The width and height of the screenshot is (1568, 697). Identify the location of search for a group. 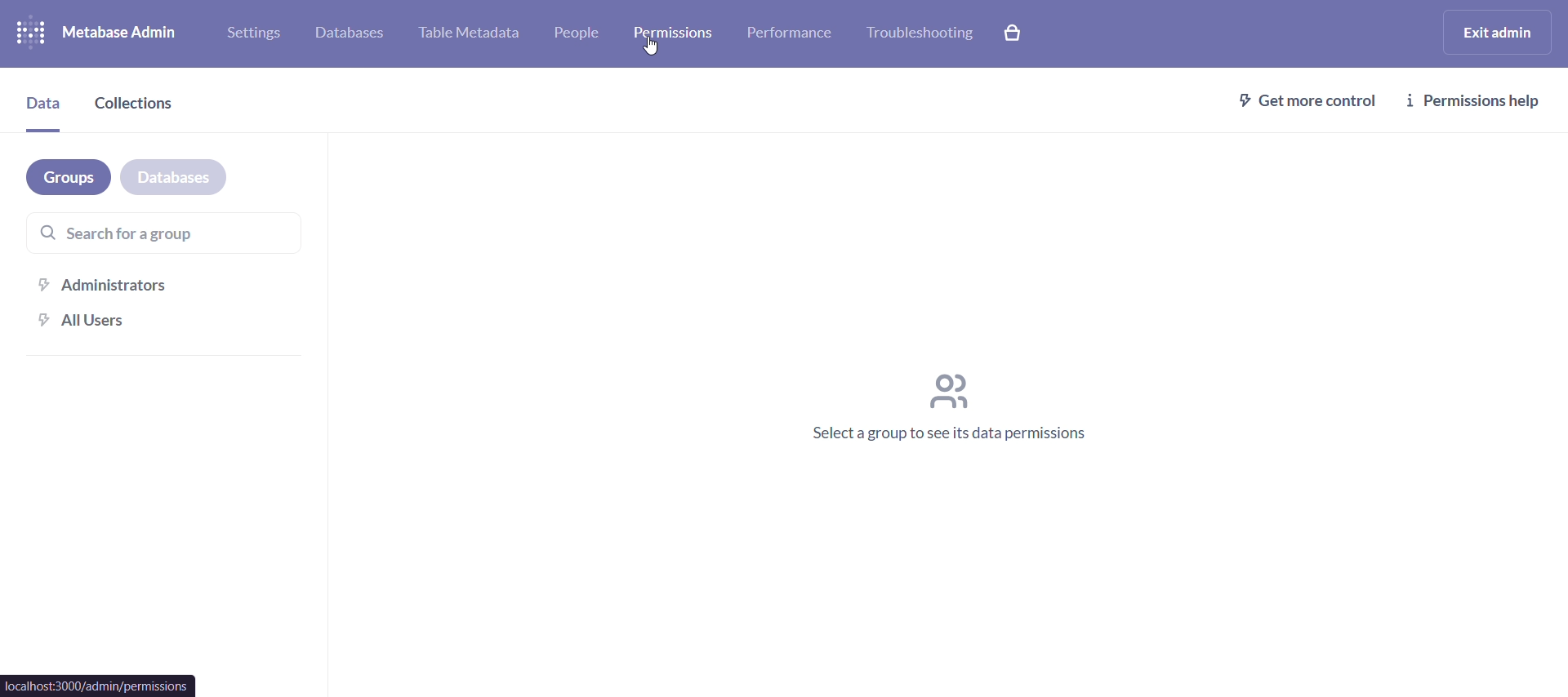
(162, 231).